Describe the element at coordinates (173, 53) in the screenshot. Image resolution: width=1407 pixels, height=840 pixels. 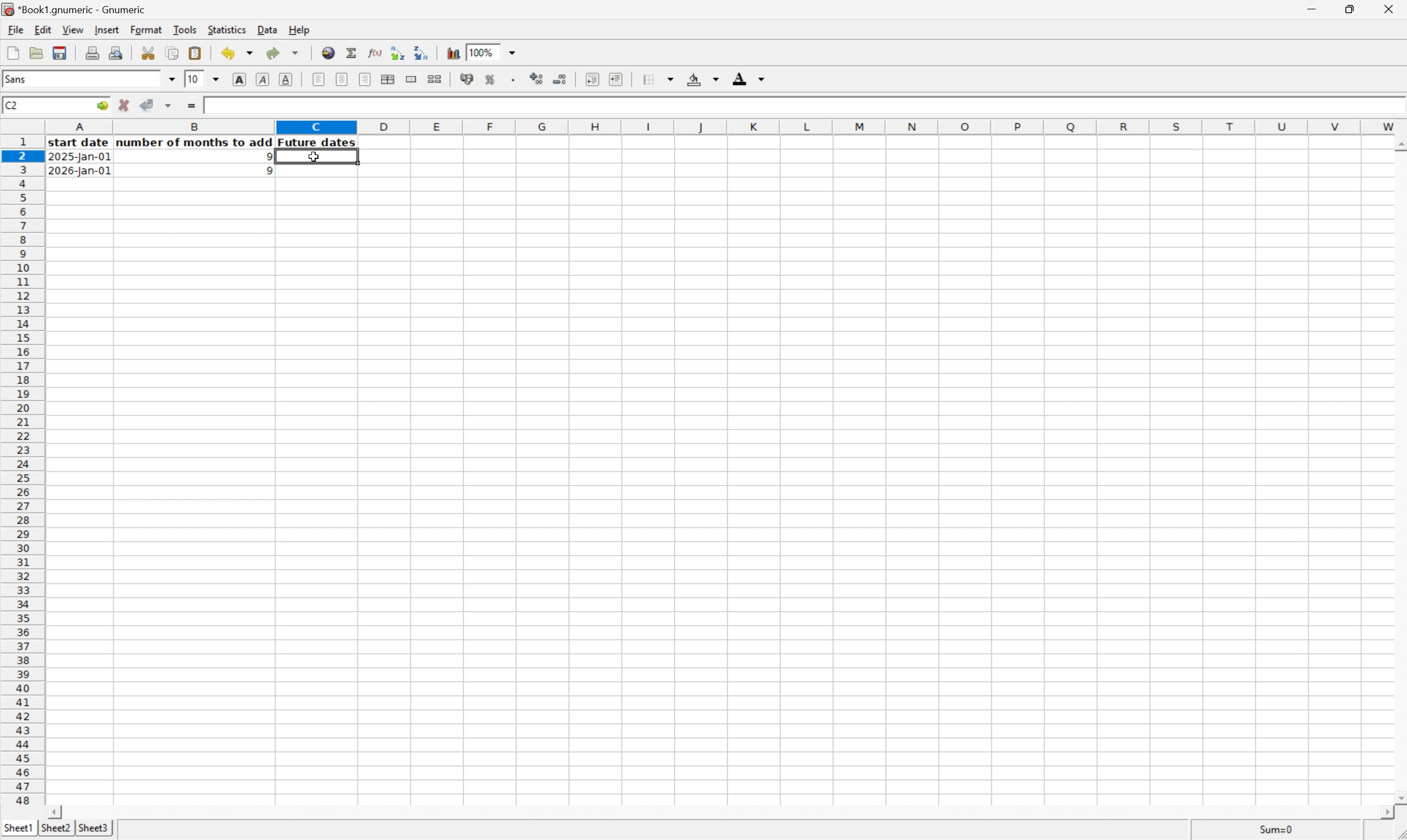
I see `Copy selection` at that location.